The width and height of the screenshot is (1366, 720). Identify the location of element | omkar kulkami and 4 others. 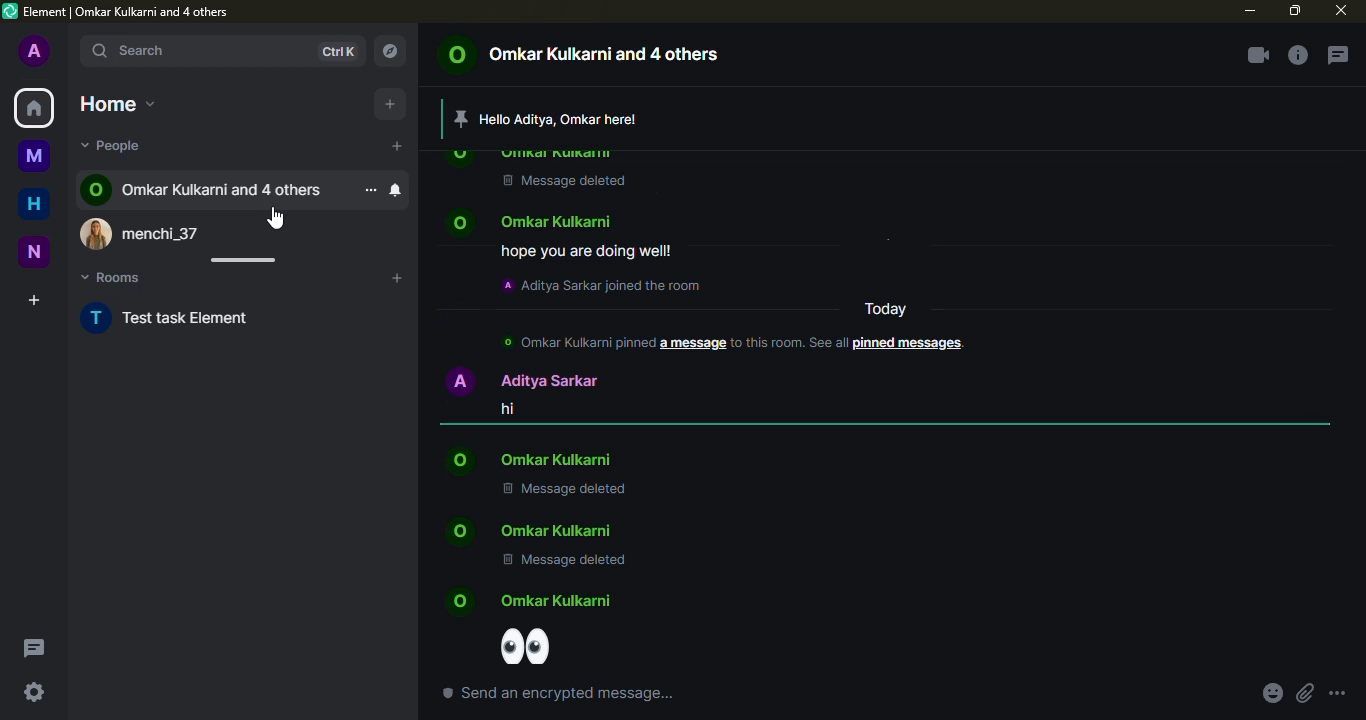
(127, 12).